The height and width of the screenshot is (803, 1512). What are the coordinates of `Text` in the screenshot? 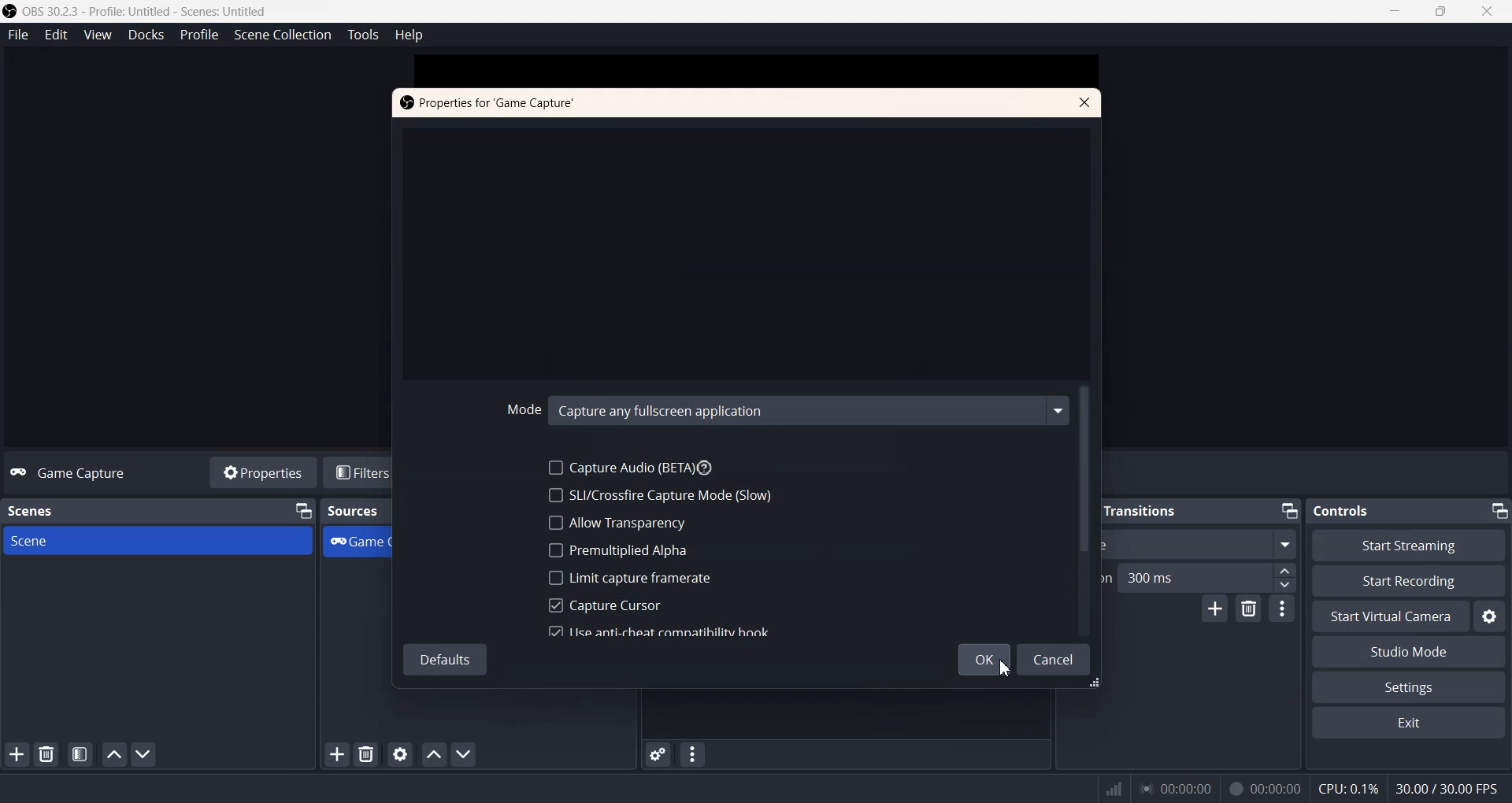 It's located at (493, 100).